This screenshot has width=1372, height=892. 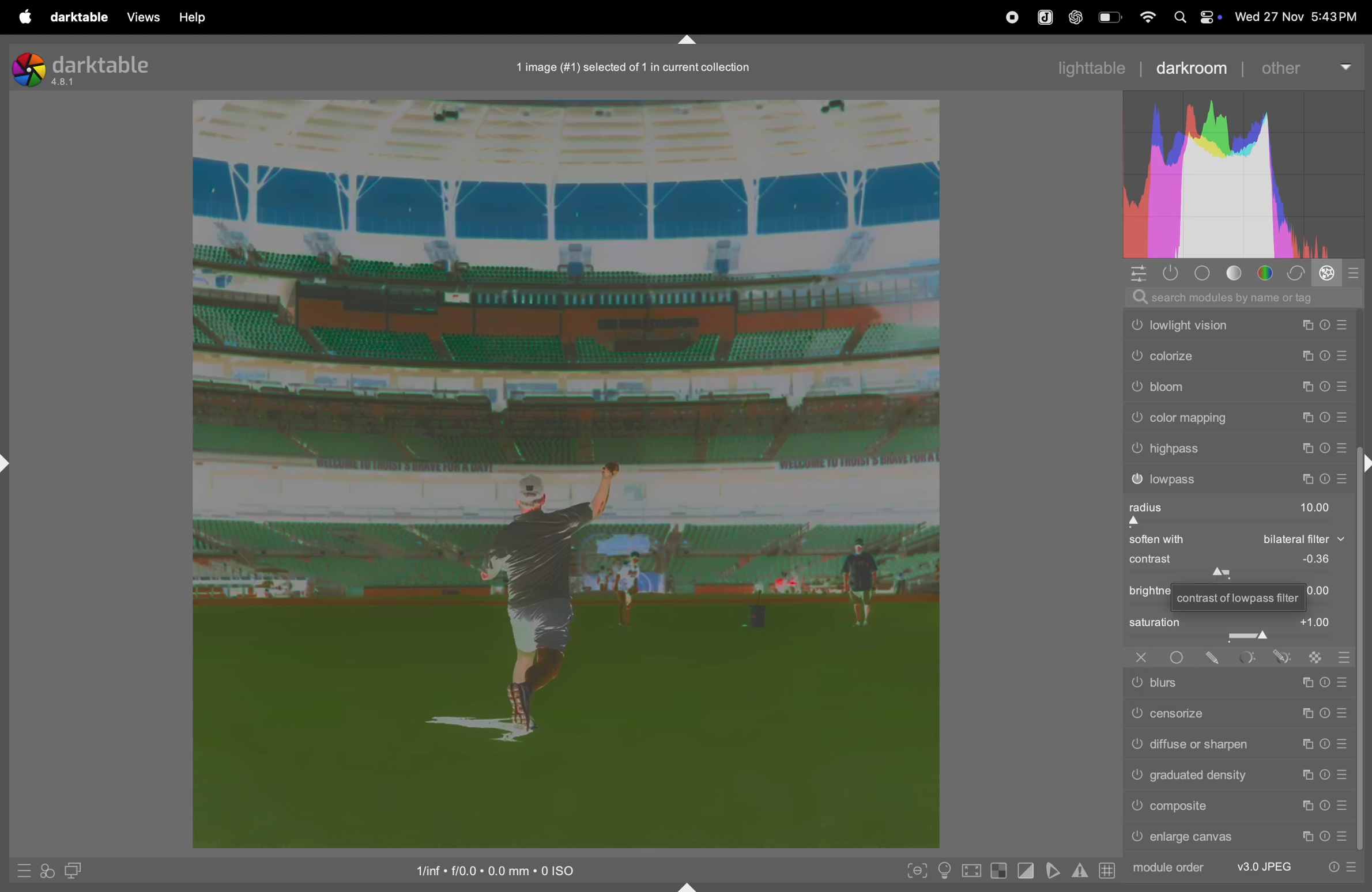 I want to click on high pass, so click(x=1237, y=448).